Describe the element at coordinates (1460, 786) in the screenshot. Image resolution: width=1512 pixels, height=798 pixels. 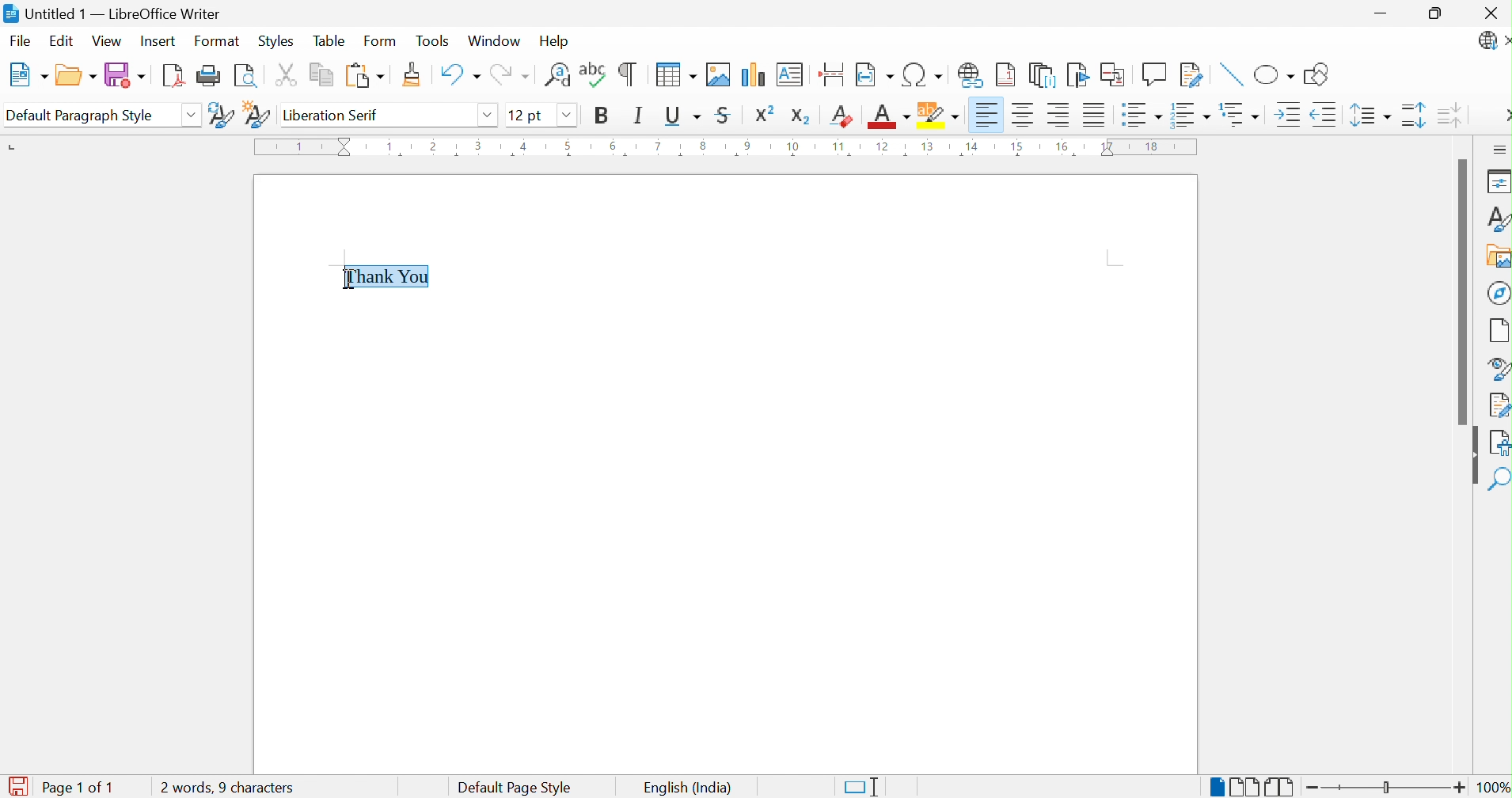
I see `Zoom In` at that location.